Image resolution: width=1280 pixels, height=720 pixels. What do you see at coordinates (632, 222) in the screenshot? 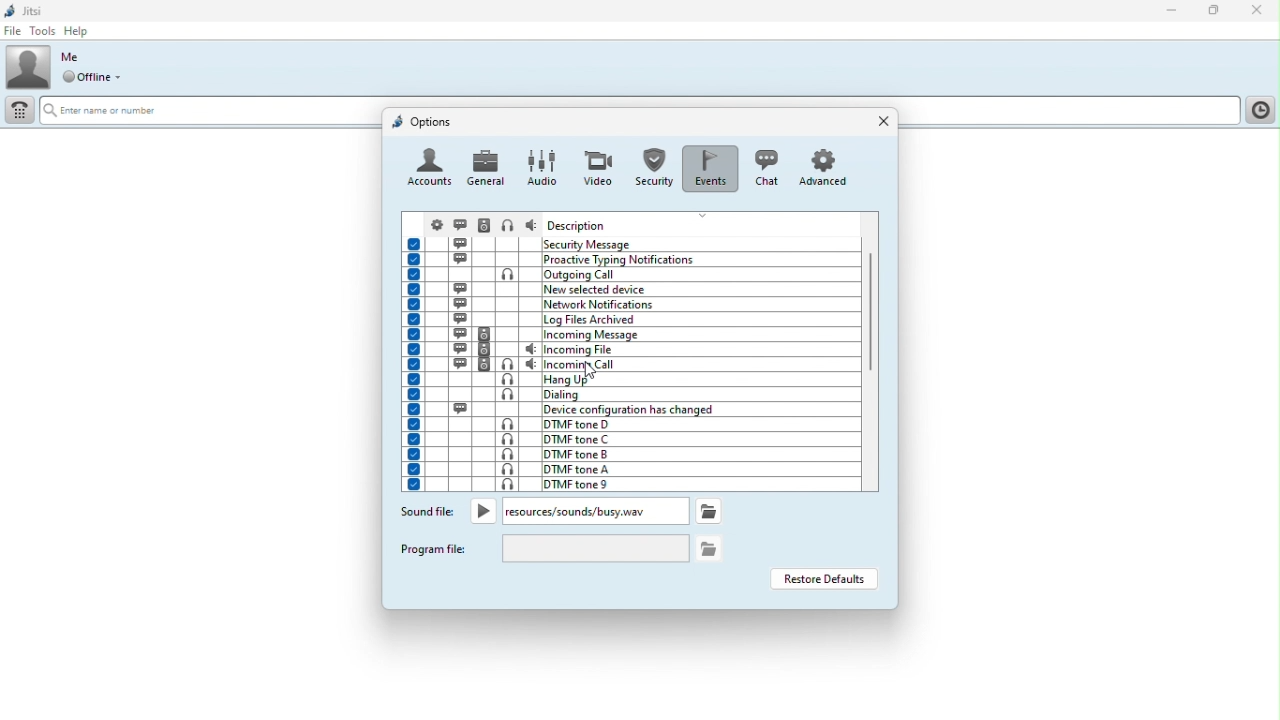
I see `Headers` at bounding box center [632, 222].